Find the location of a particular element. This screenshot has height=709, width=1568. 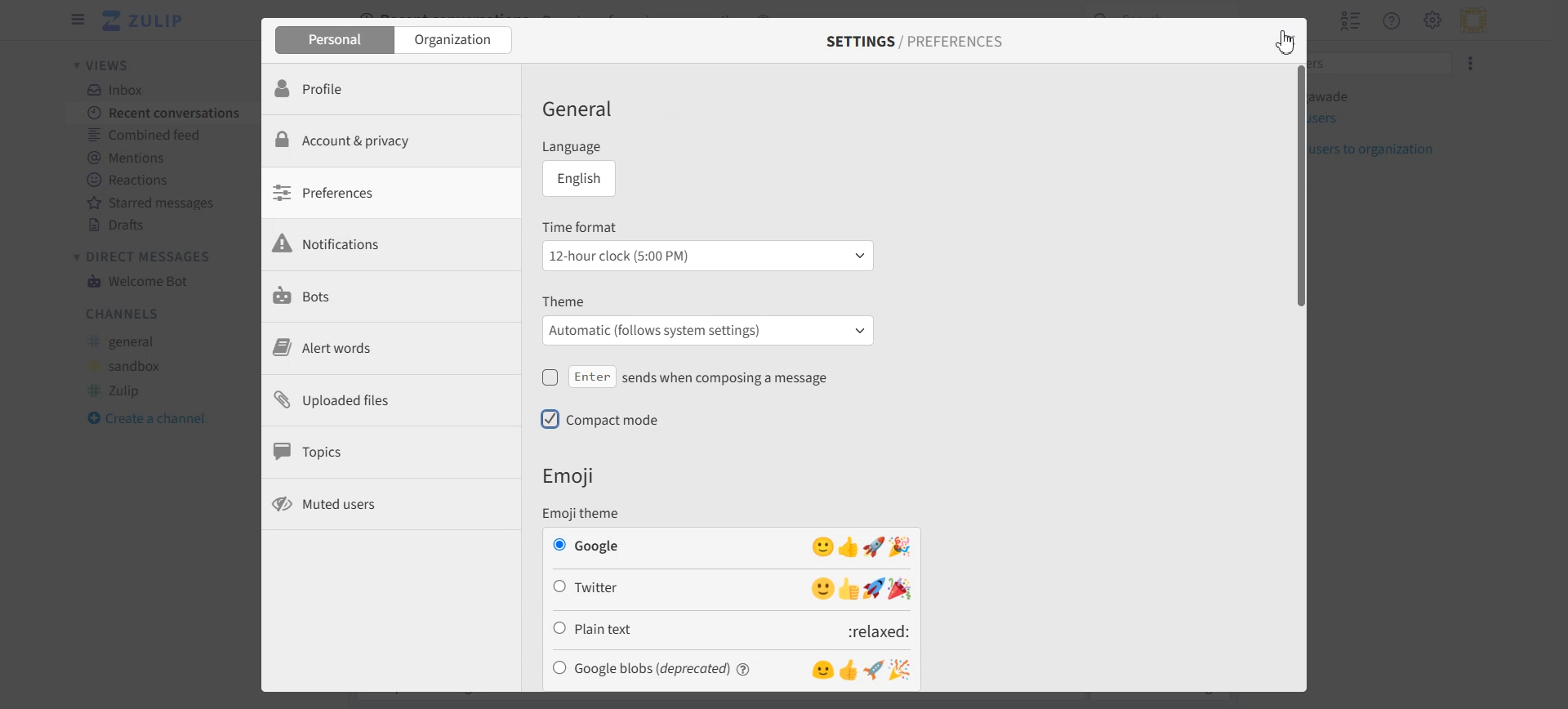

Emoji is located at coordinates (573, 476).